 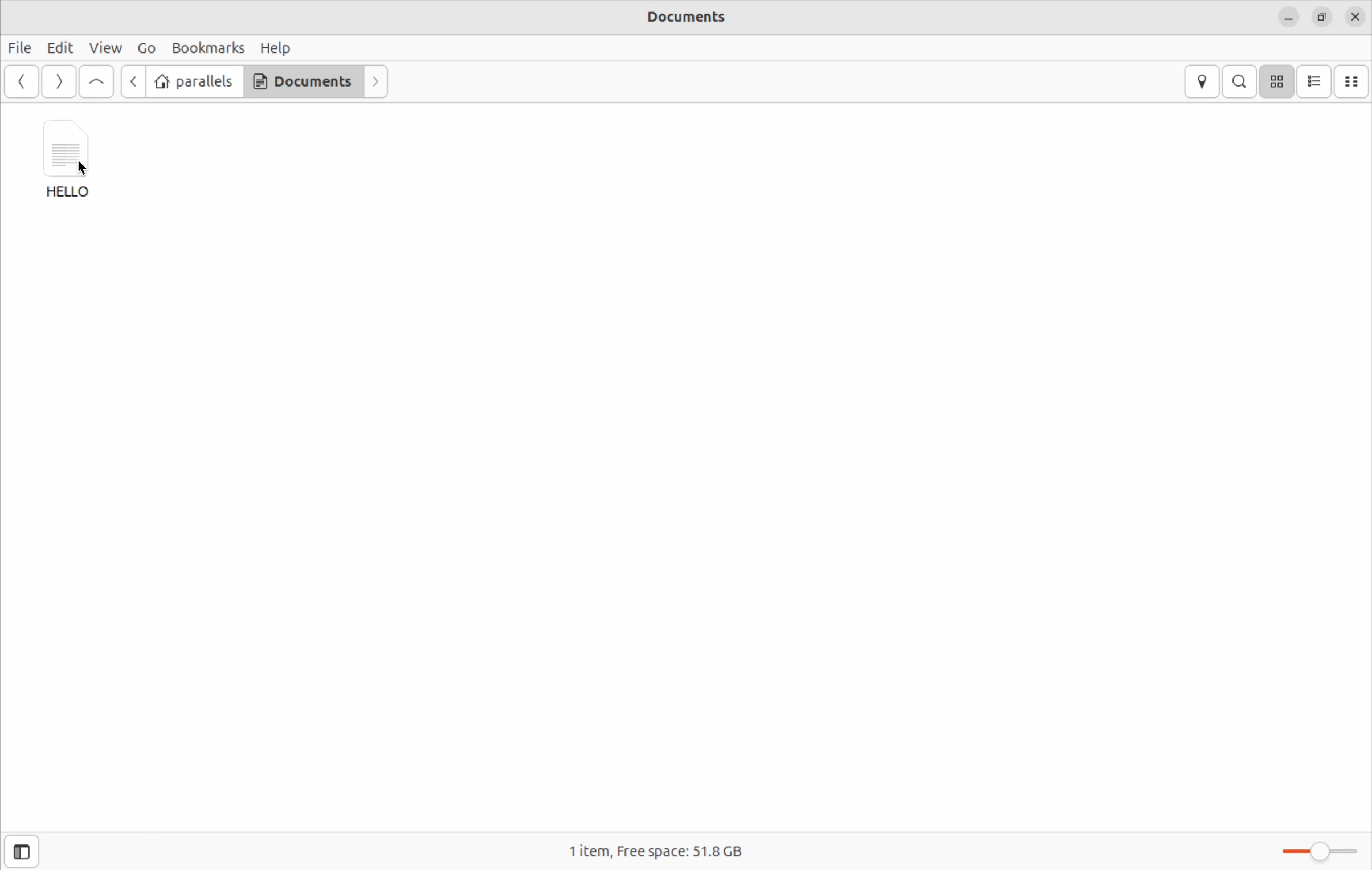 I want to click on minimize, so click(x=1288, y=18).